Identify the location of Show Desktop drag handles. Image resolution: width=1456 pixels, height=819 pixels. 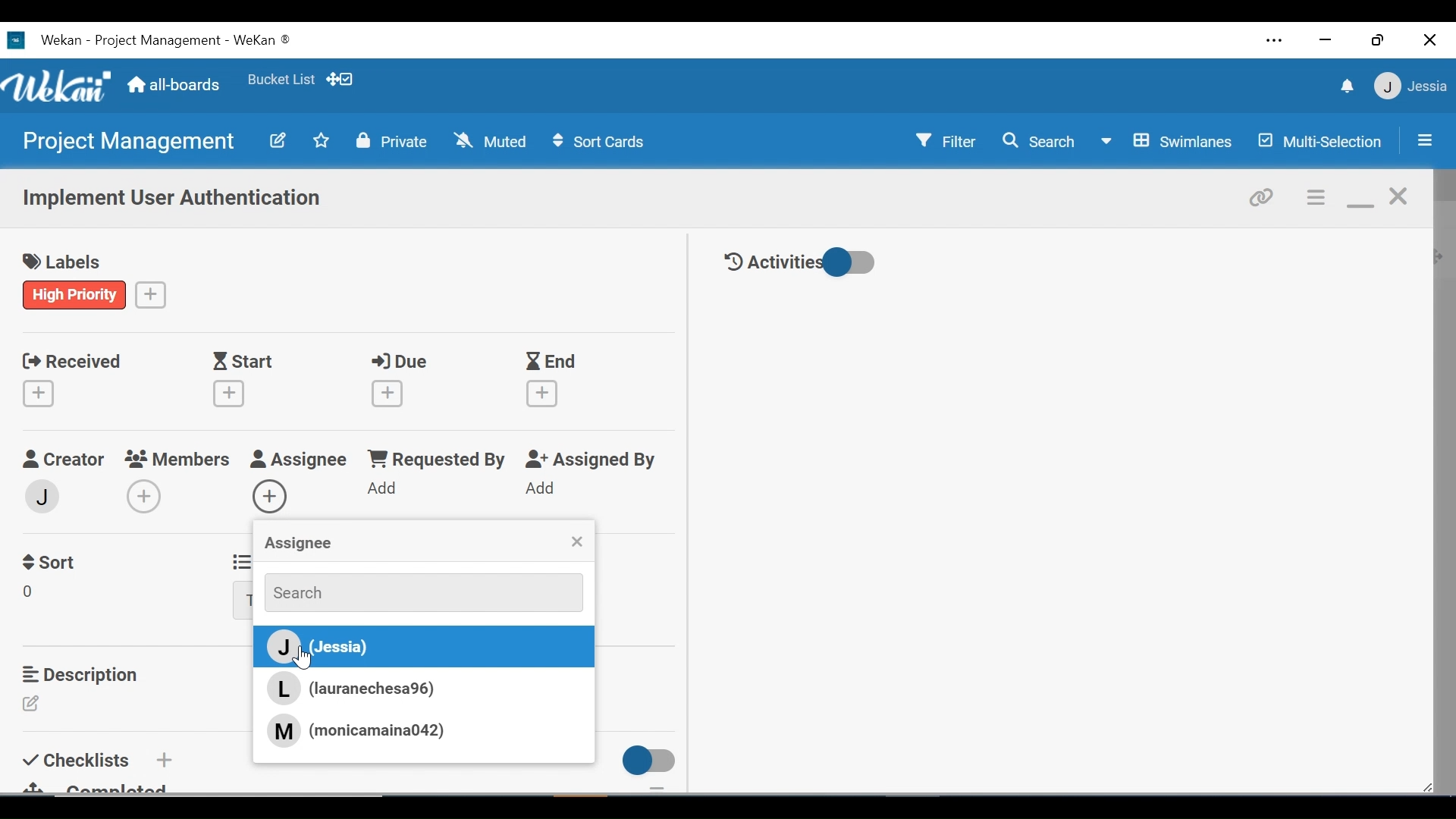
(342, 79).